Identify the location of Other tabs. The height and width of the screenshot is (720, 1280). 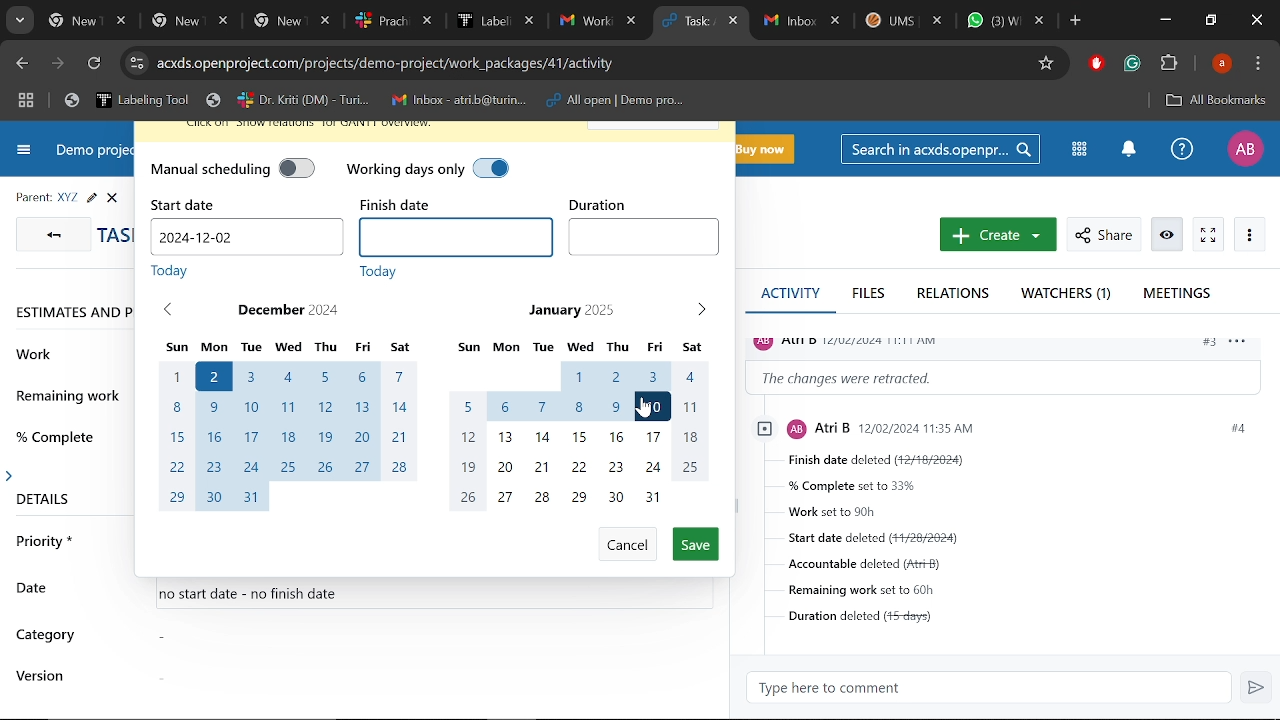
(905, 23).